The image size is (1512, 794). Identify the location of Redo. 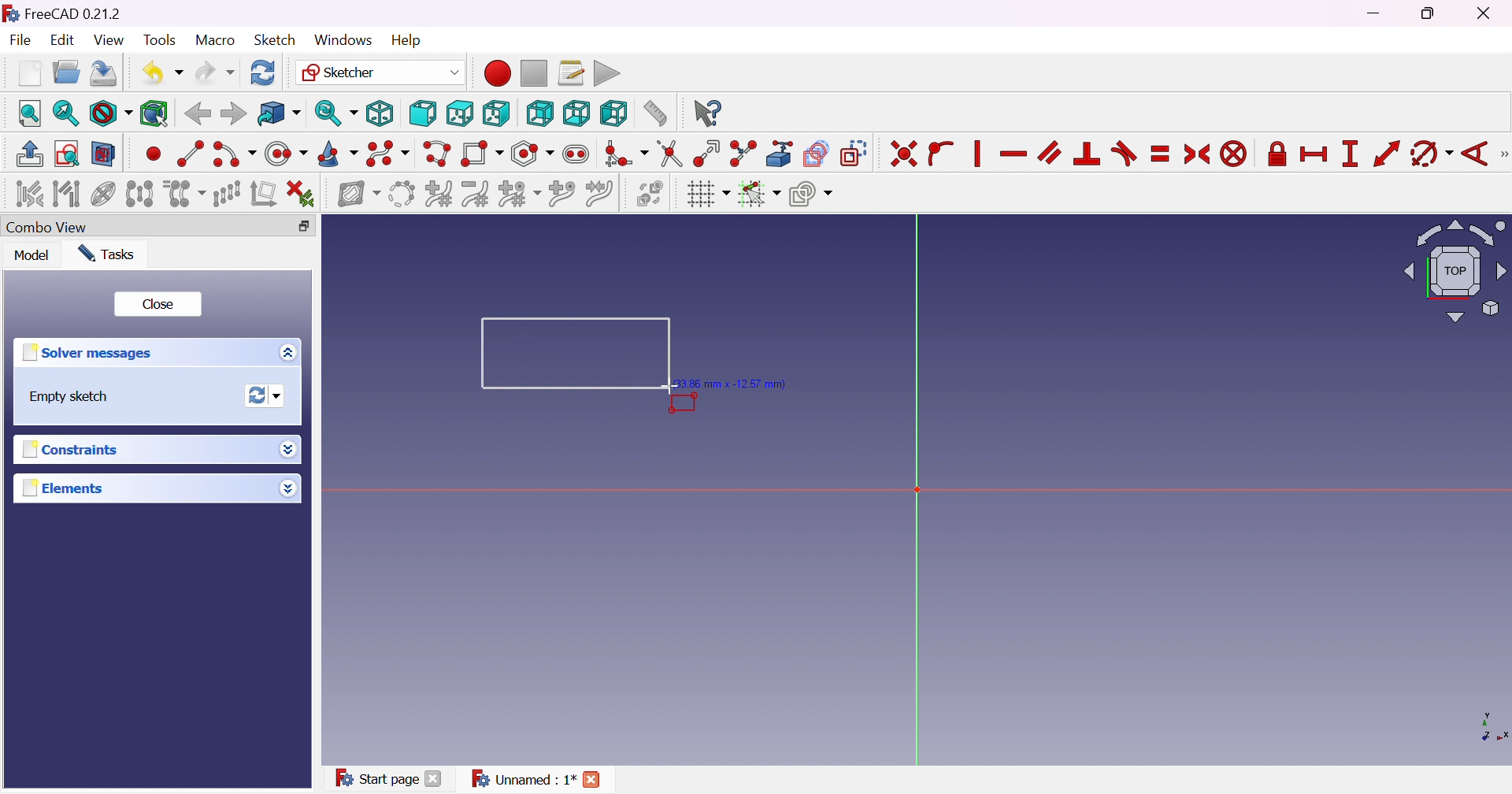
(216, 71).